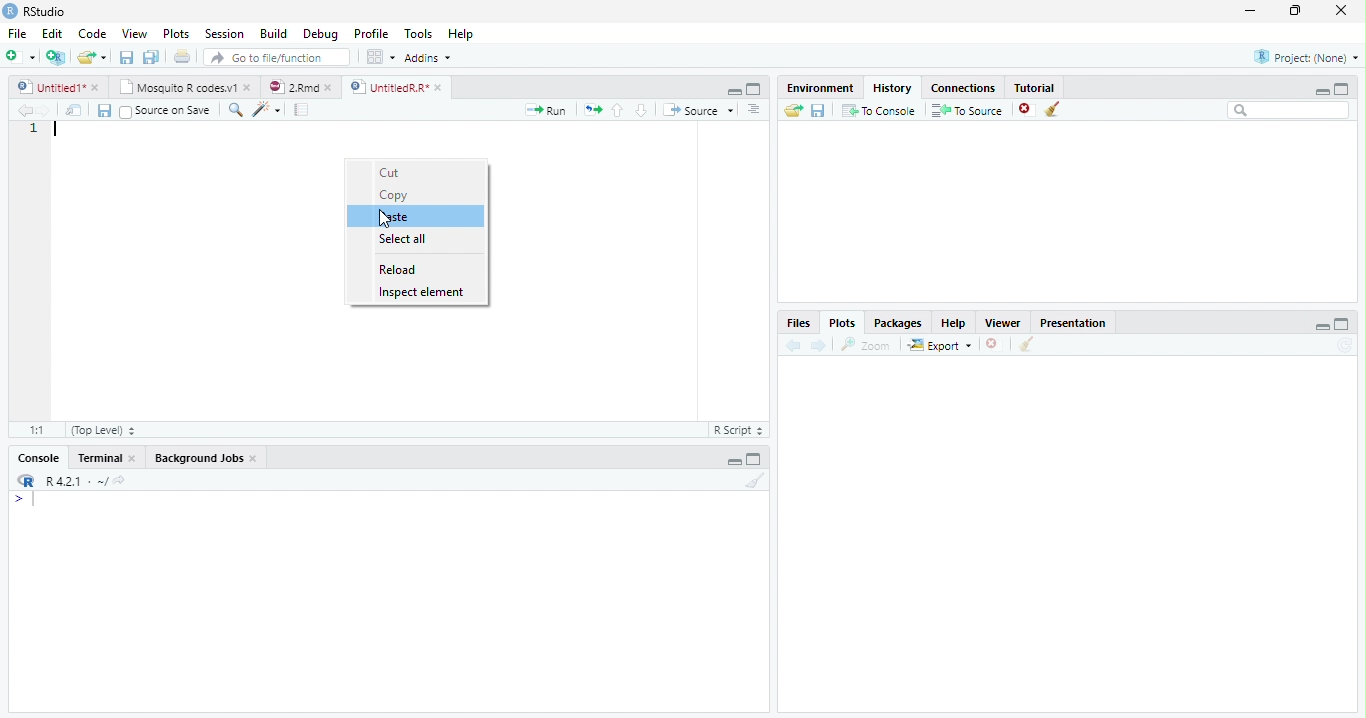 This screenshot has height=718, width=1366. I want to click on RStudio, so click(39, 12).